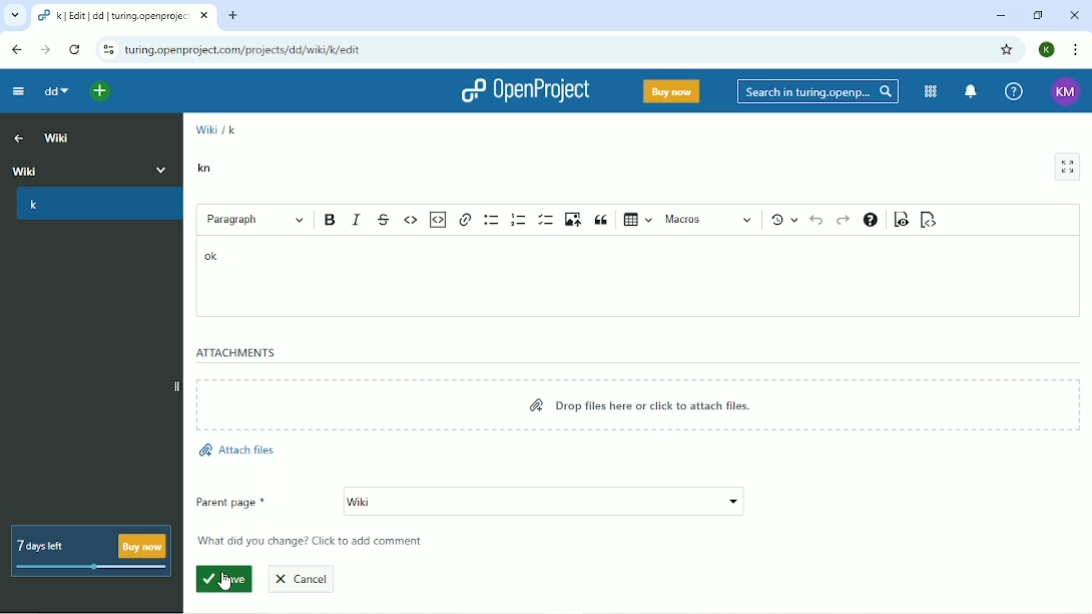 Image resolution: width=1092 pixels, height=614 pixels. Describe the element at coordinates (231, 500) in the screenshot. I see `Parent page` at that location.